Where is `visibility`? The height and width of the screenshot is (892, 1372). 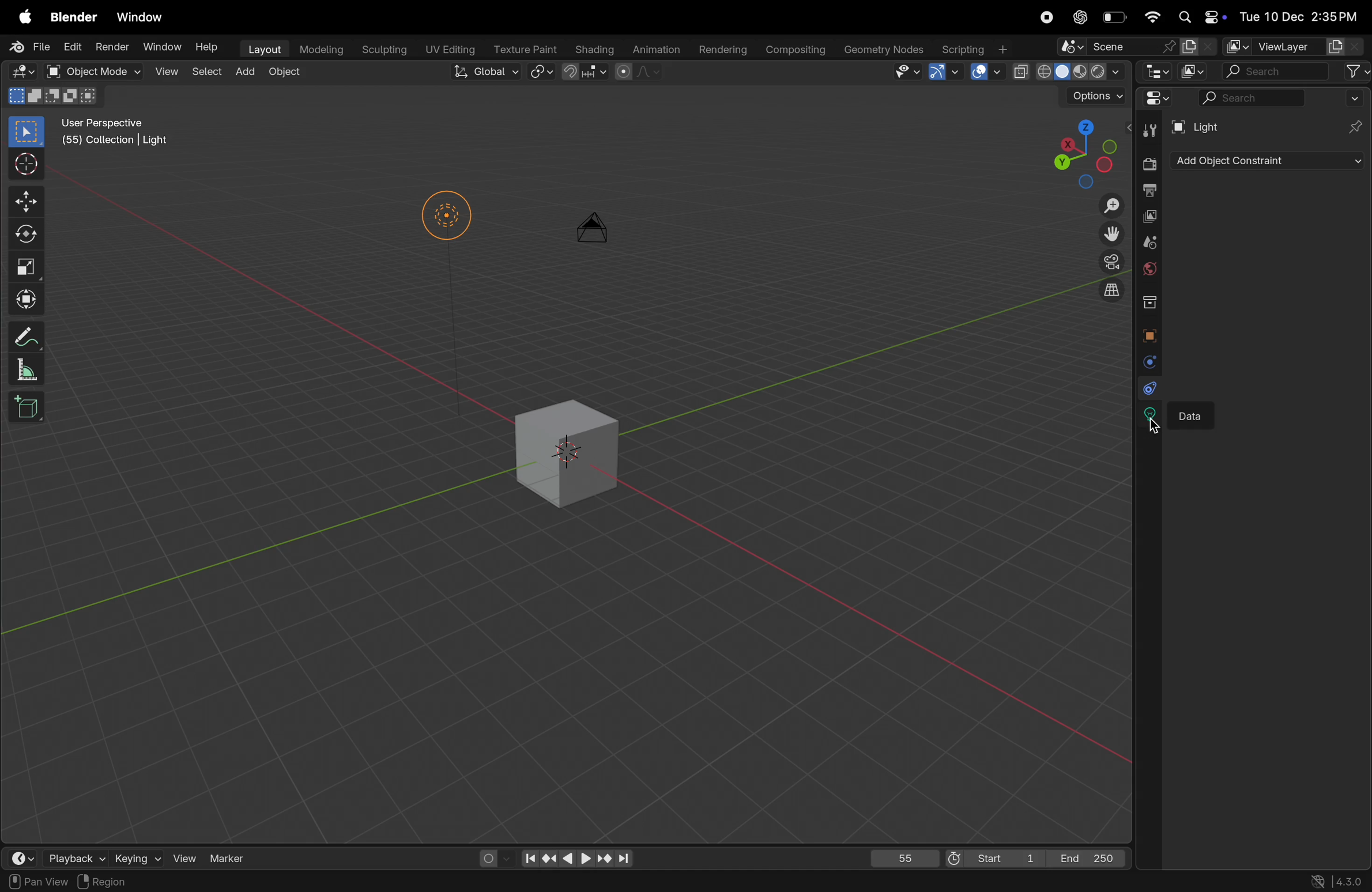 visibility is located at coordinates (903, 72).